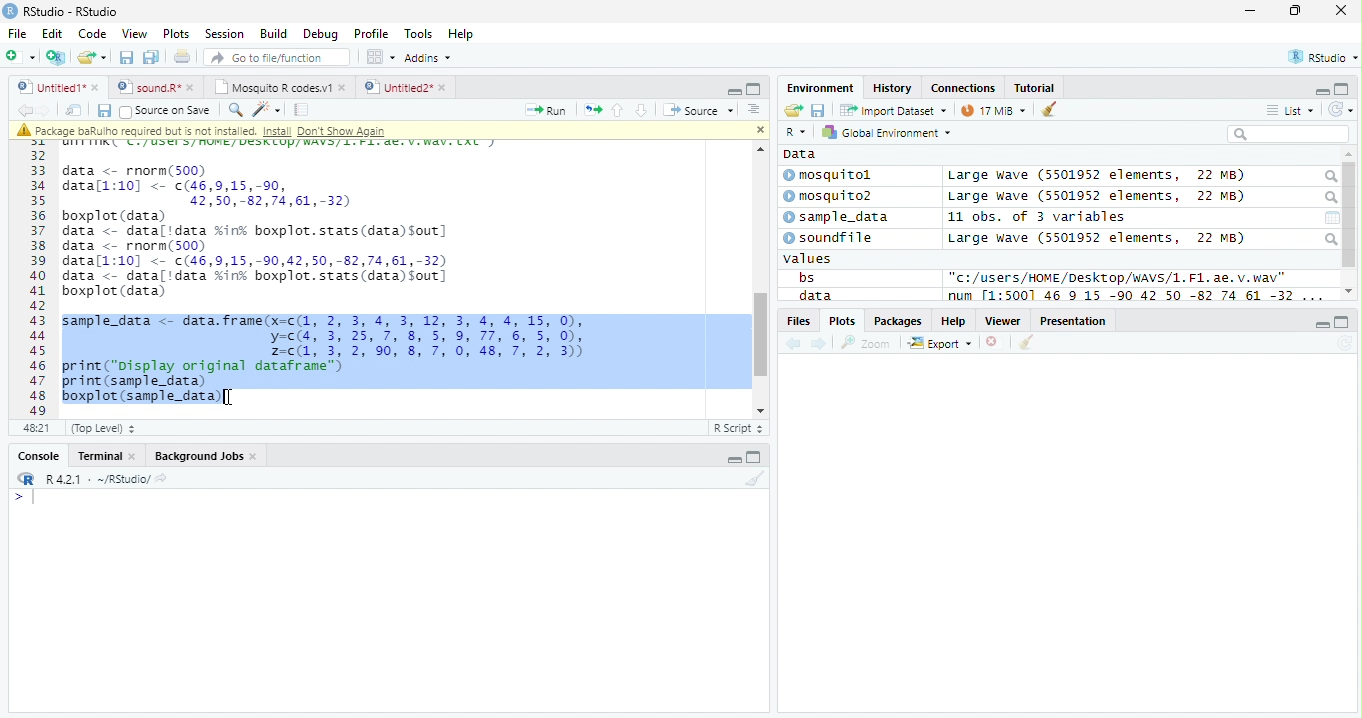 The width and height of the screenshot is (1362, 718). I want to click on values, so click(808, 259).